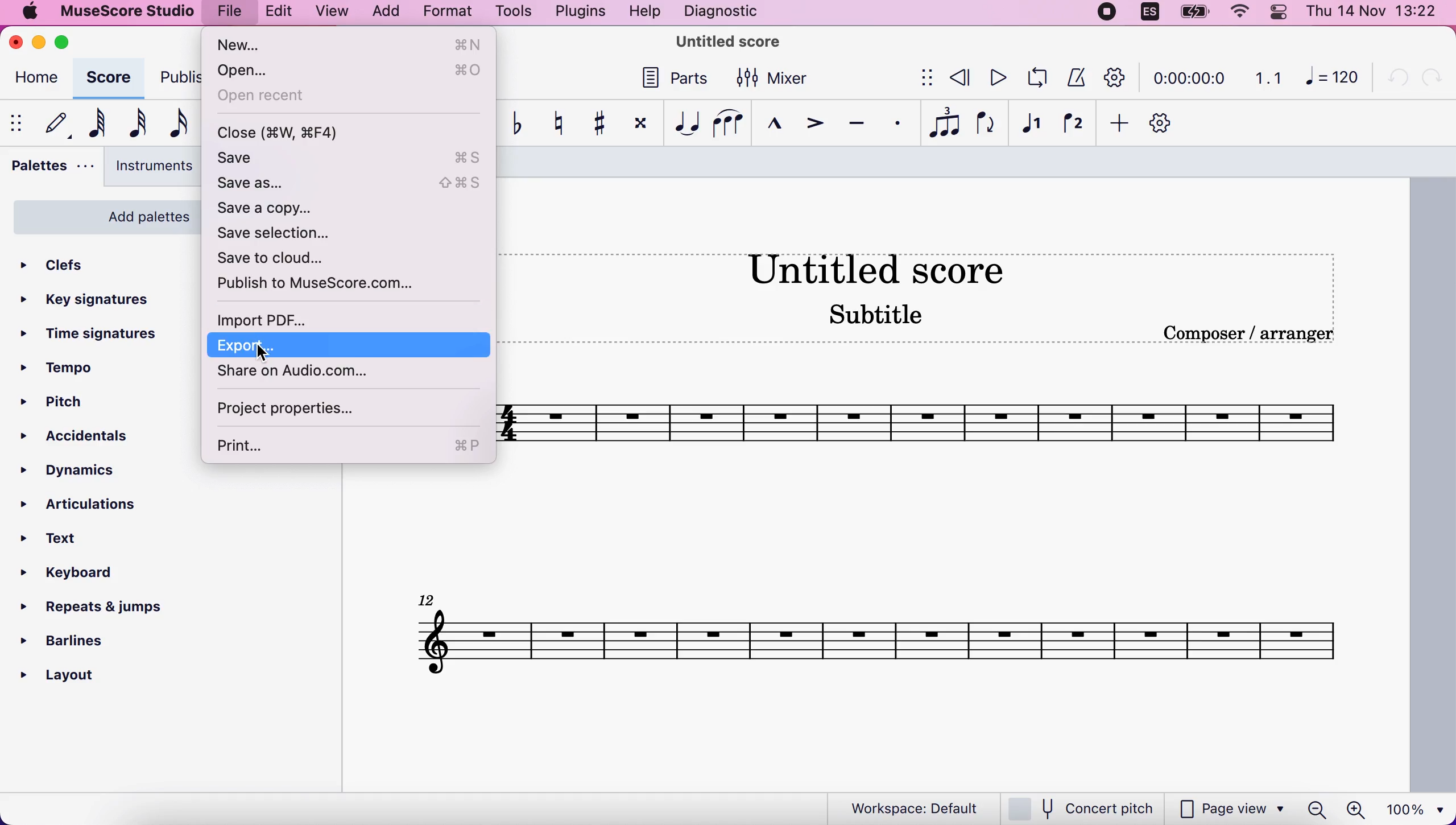 Image resolution: width=1456 pixels, height=825 pixels. I want to click on cursor on export, so click(272, 353).